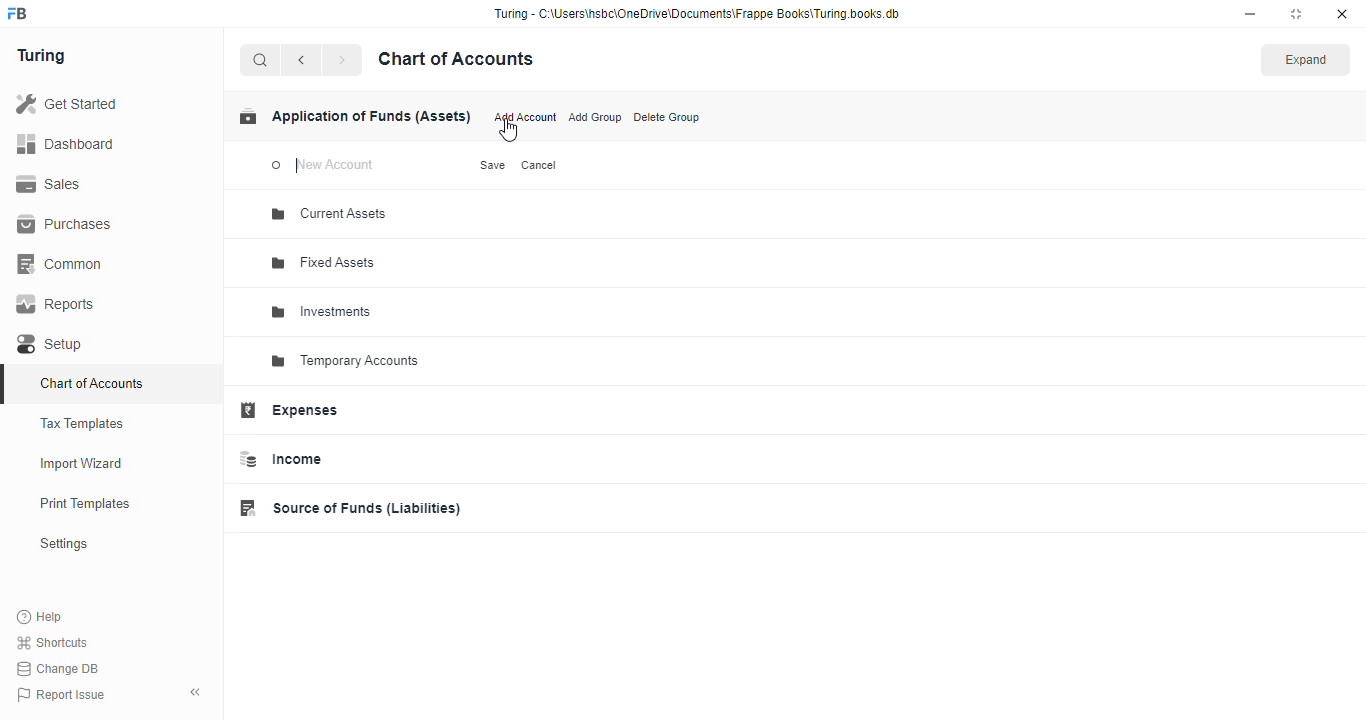  What do you see at coordinates (65, 143) in the screenshot?
I see `dashboard` at bounding box center [65, 143].